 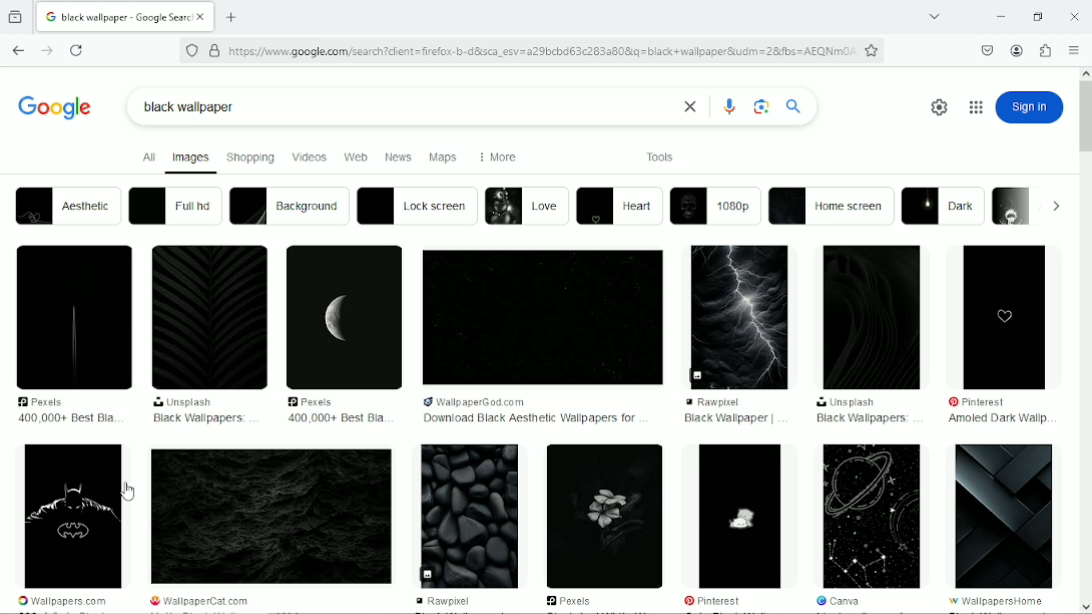 What do you see at coordinates (126, 493) in the screenshot?
I see `cursor` at bounding box center [126, 493].